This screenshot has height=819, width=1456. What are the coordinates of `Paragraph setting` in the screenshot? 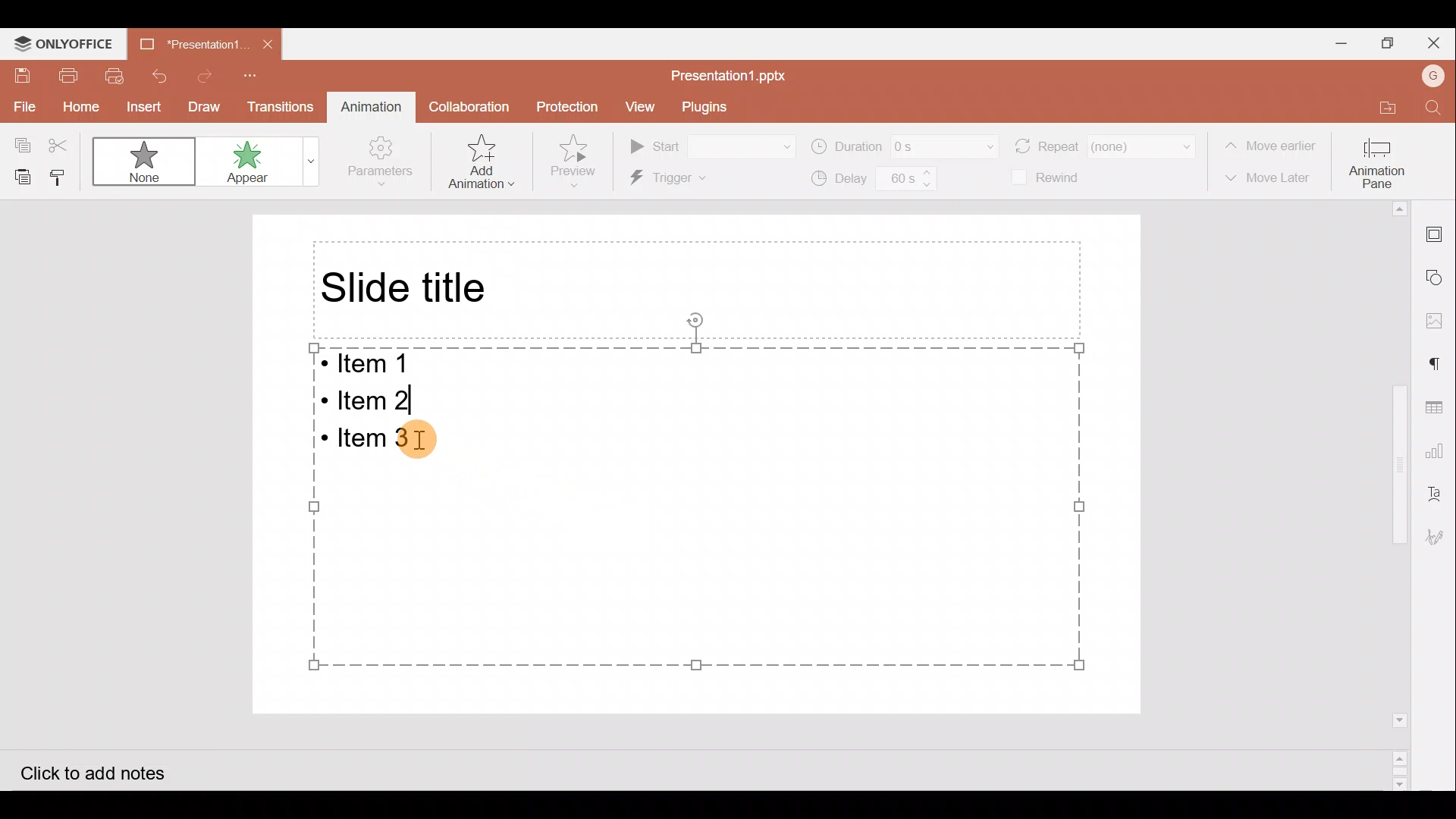 It's located at (1442, 366).